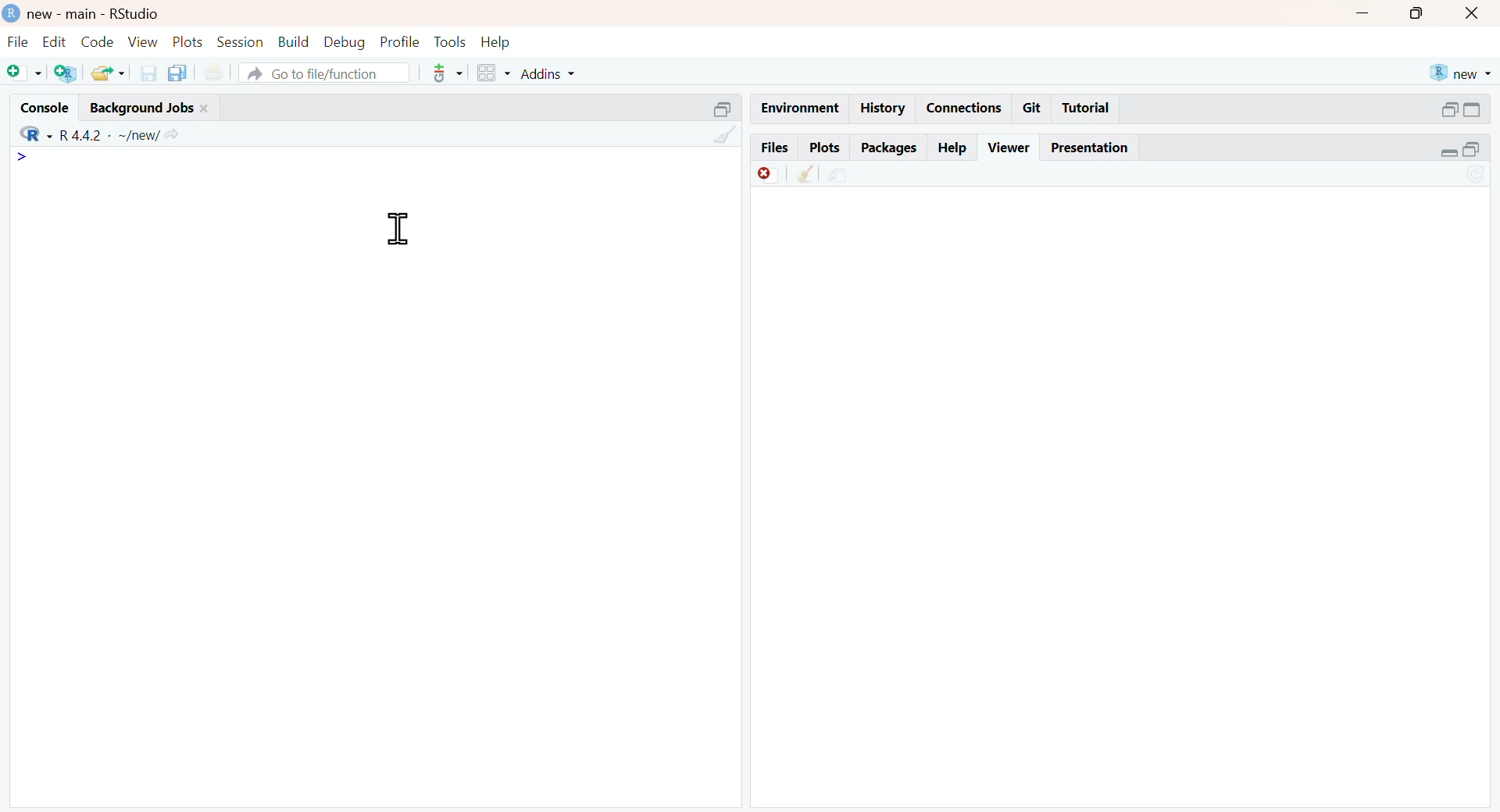  Describe the element at coordinates (129, 134) in the screenshot. I see `v R442 - ~/new/` at that location.